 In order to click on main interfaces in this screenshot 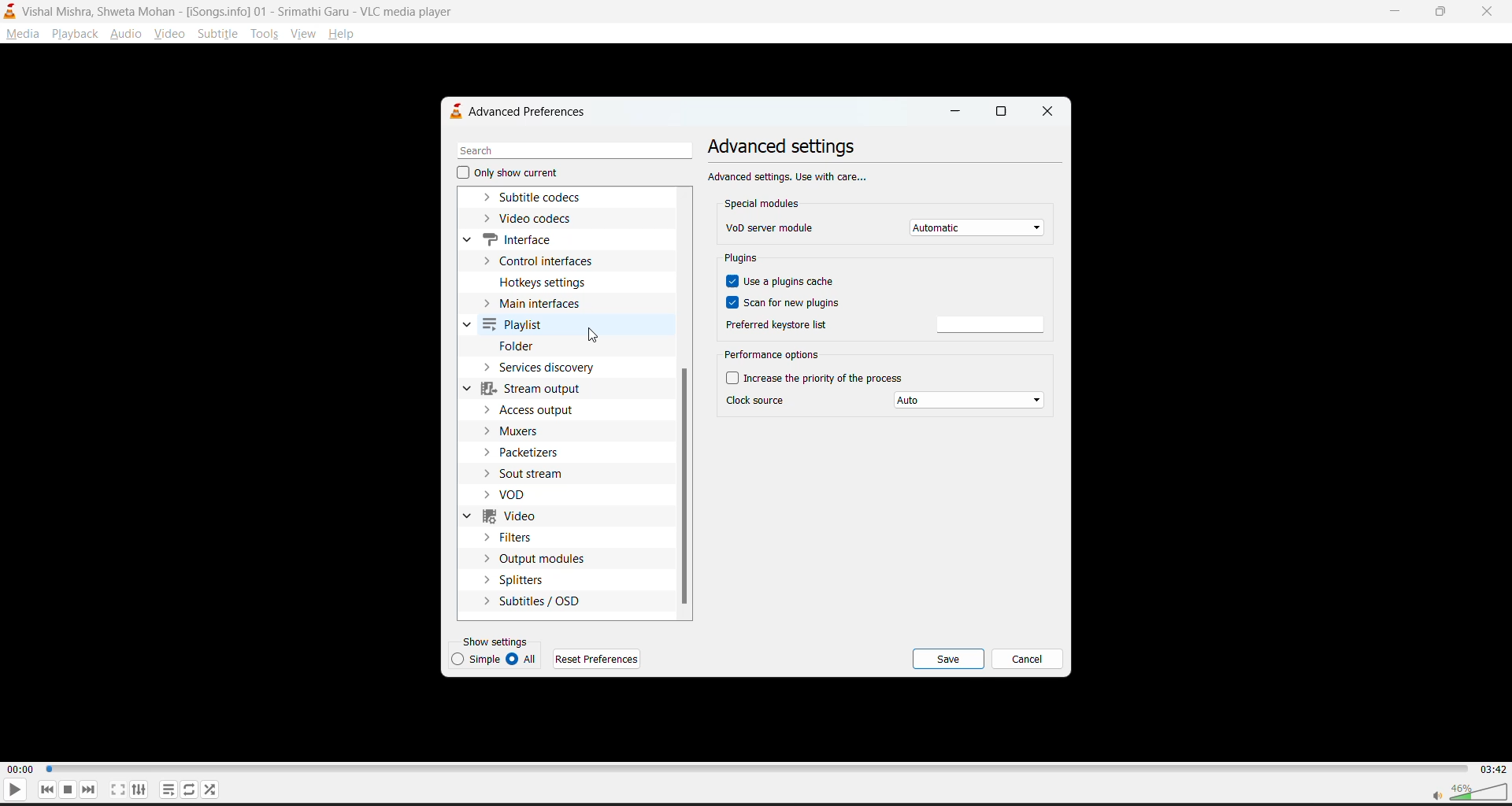, I will do `click(539, 305)`.